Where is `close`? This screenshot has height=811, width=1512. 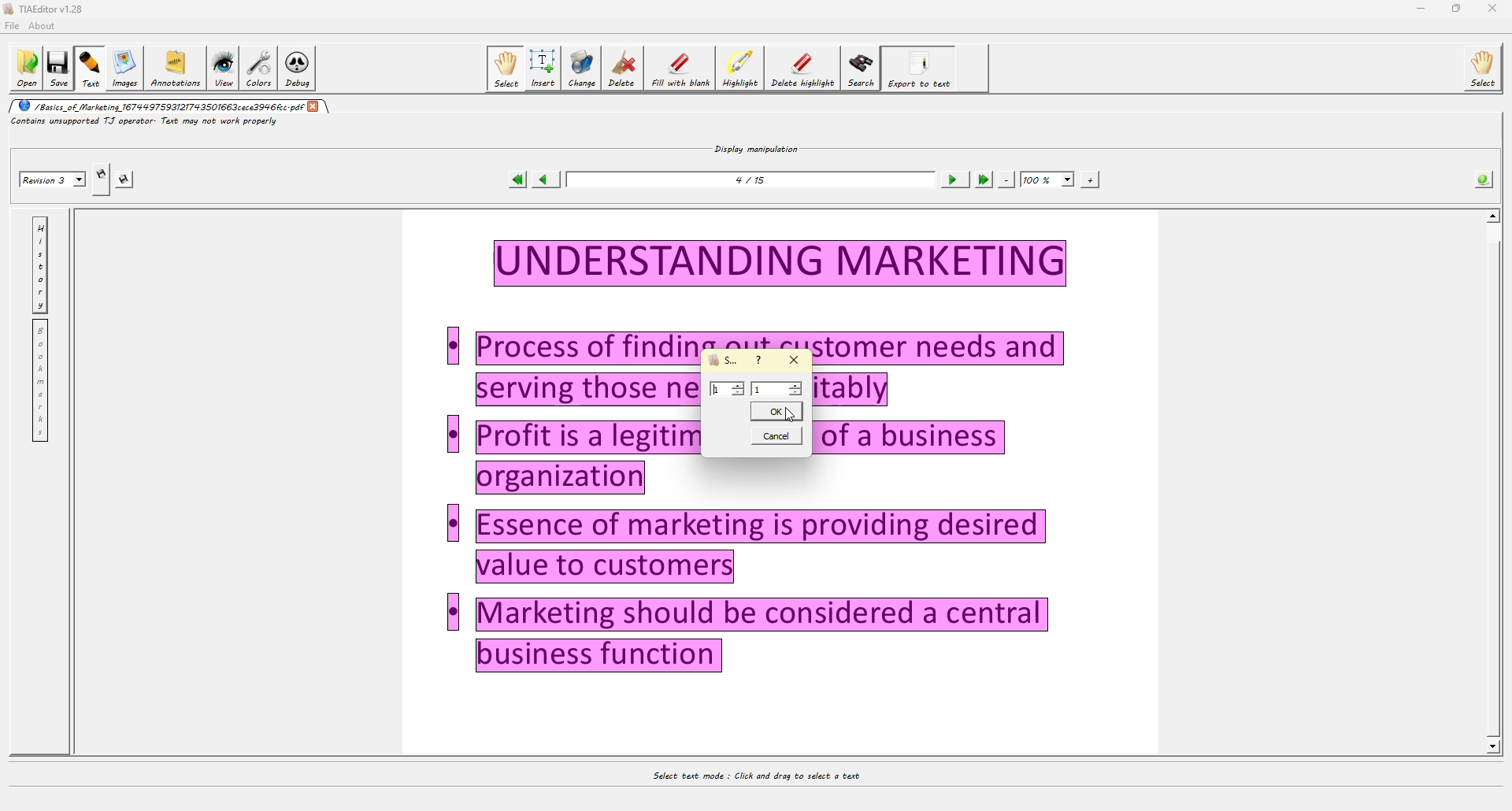 close is located at coordinates (792, 359).